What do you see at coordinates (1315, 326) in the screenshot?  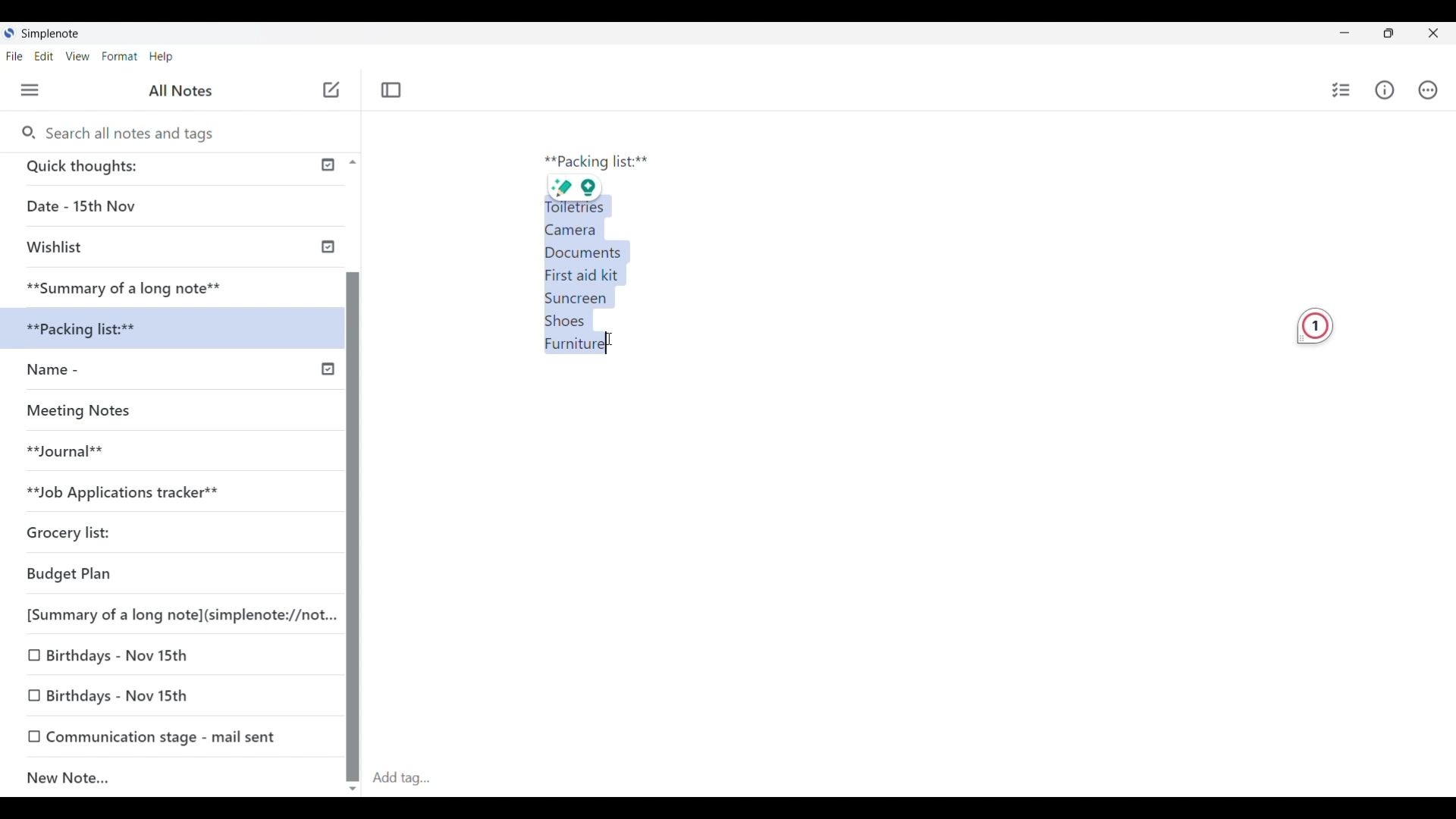 I see `Grammarly extension` at bounding box center [1315, 326].